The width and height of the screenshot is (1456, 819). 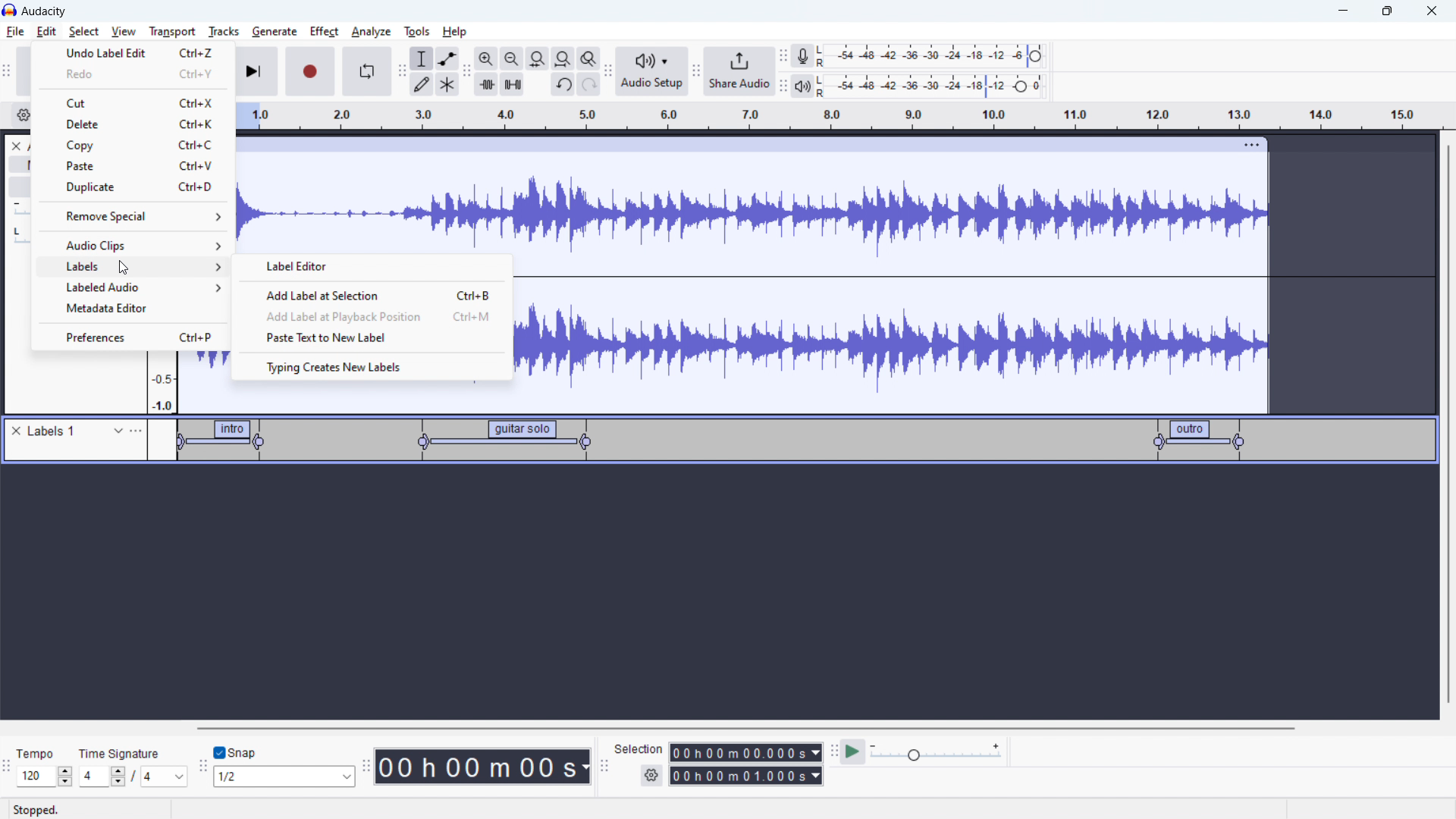 I want to click on record, so click(x=311, y=71).